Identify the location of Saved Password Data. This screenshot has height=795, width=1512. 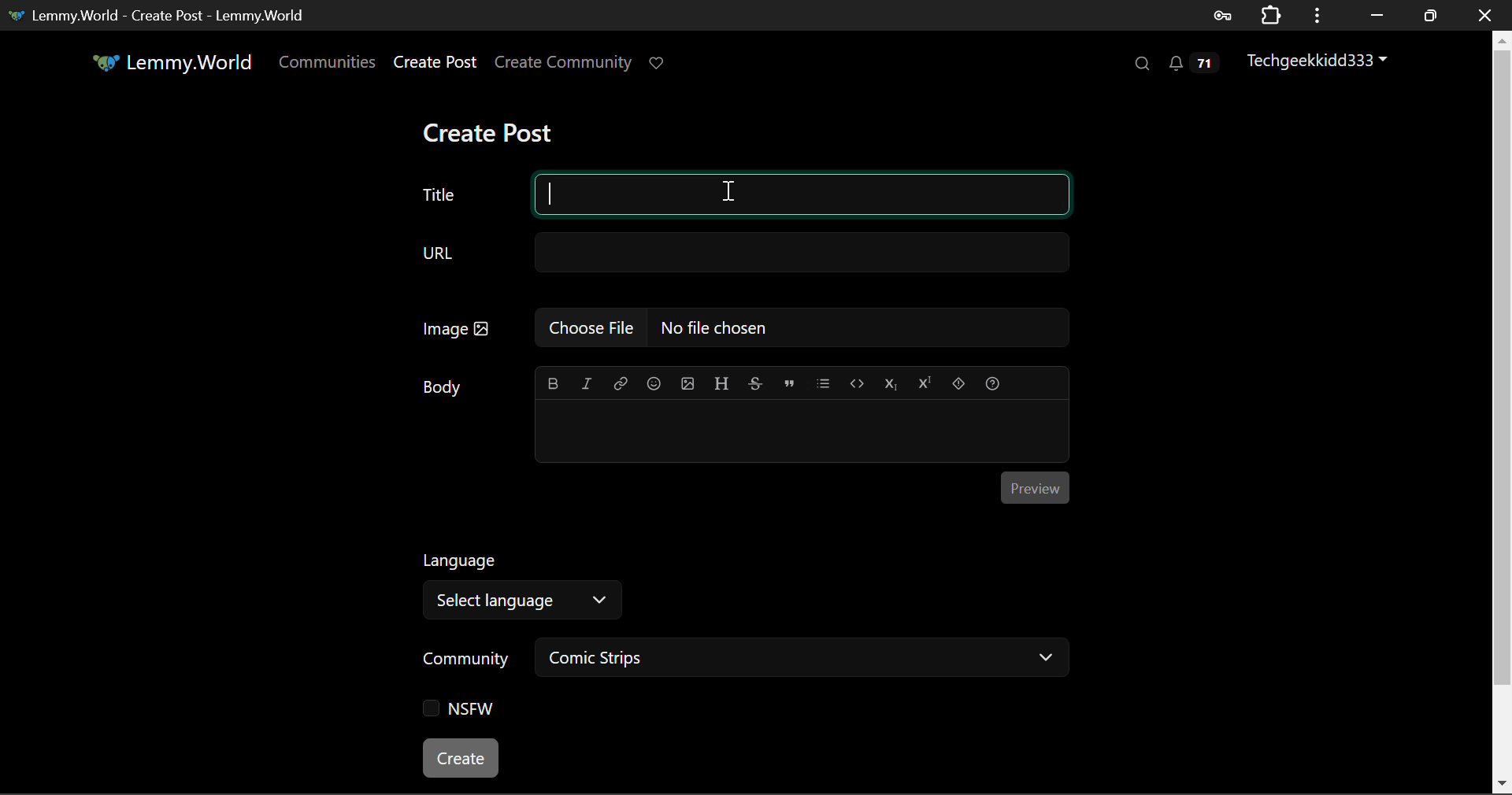
(1221, 15).